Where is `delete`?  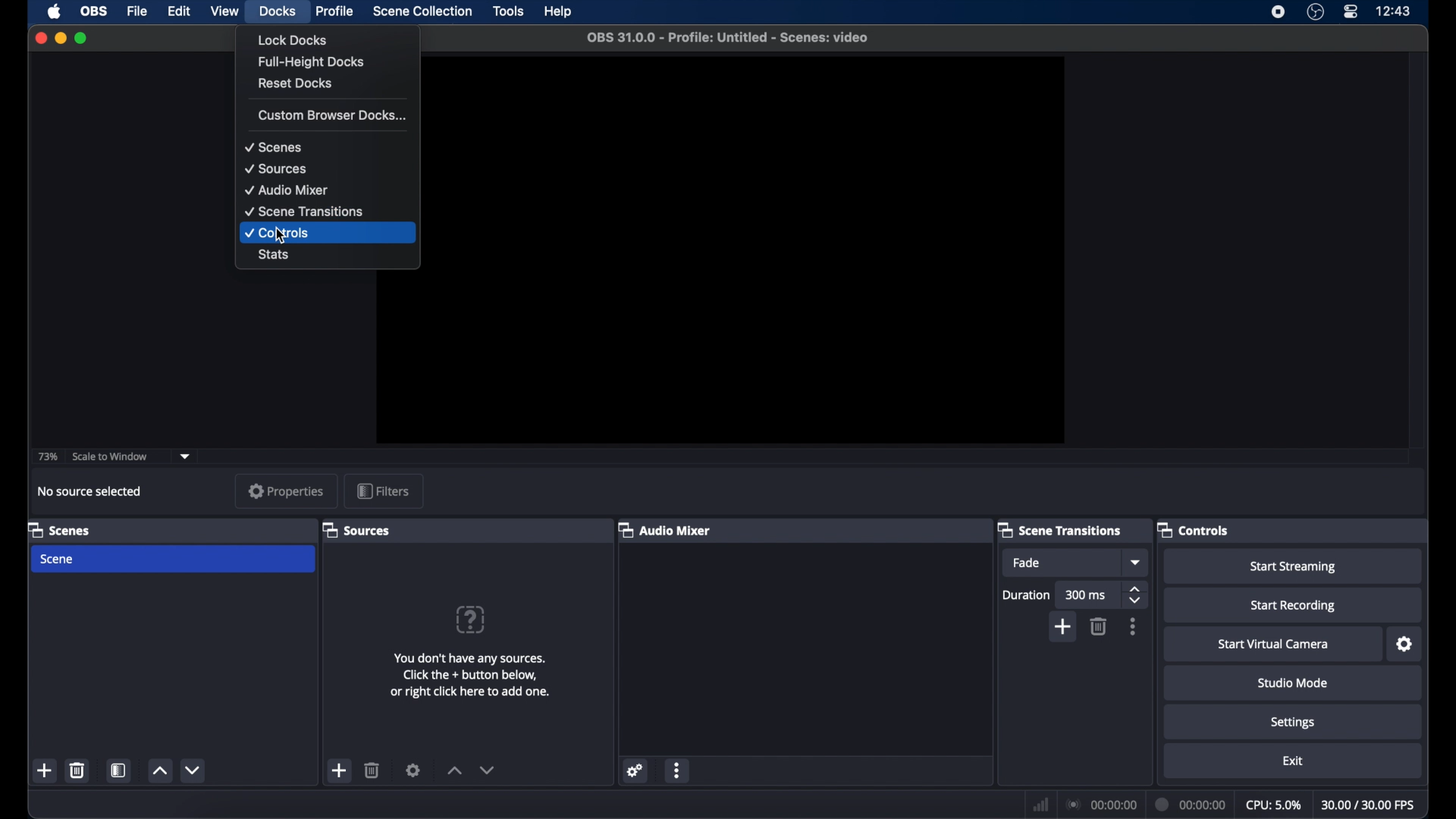 delete is located at coordinates (78, 770).